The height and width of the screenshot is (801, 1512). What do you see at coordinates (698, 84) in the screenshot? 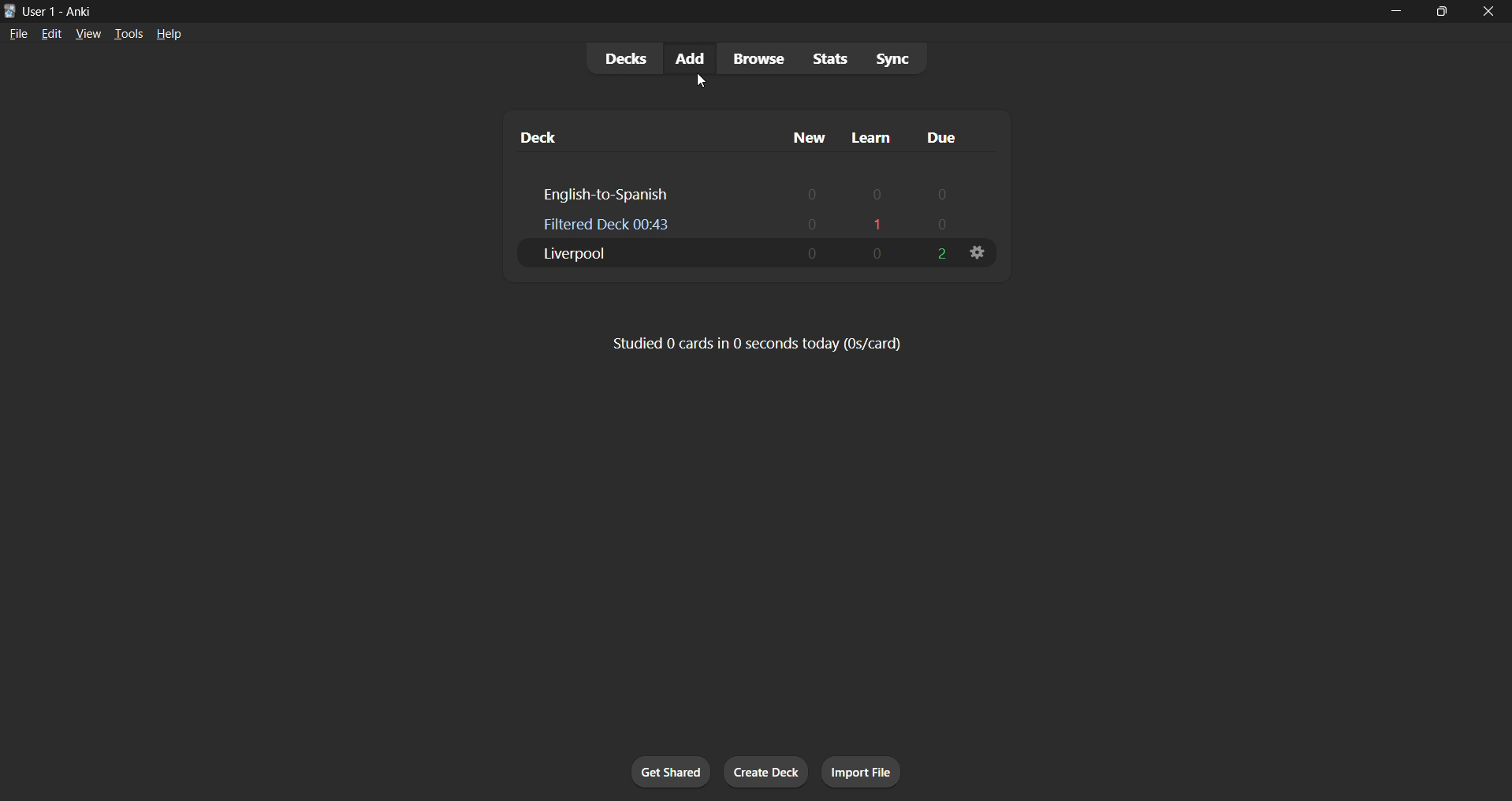
I see `Cursor` at bounding box center [698, 84].